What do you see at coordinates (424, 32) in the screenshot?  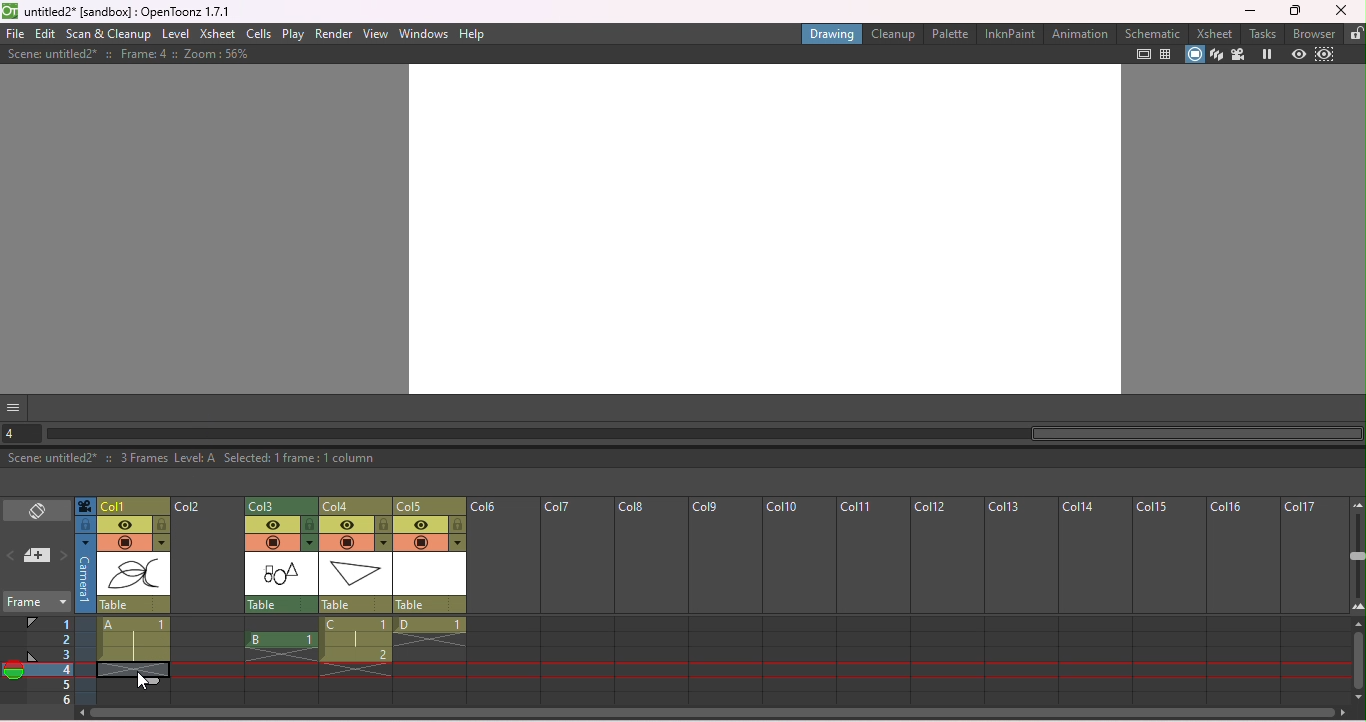 I see `Windows` at bounding box center [424, 32].